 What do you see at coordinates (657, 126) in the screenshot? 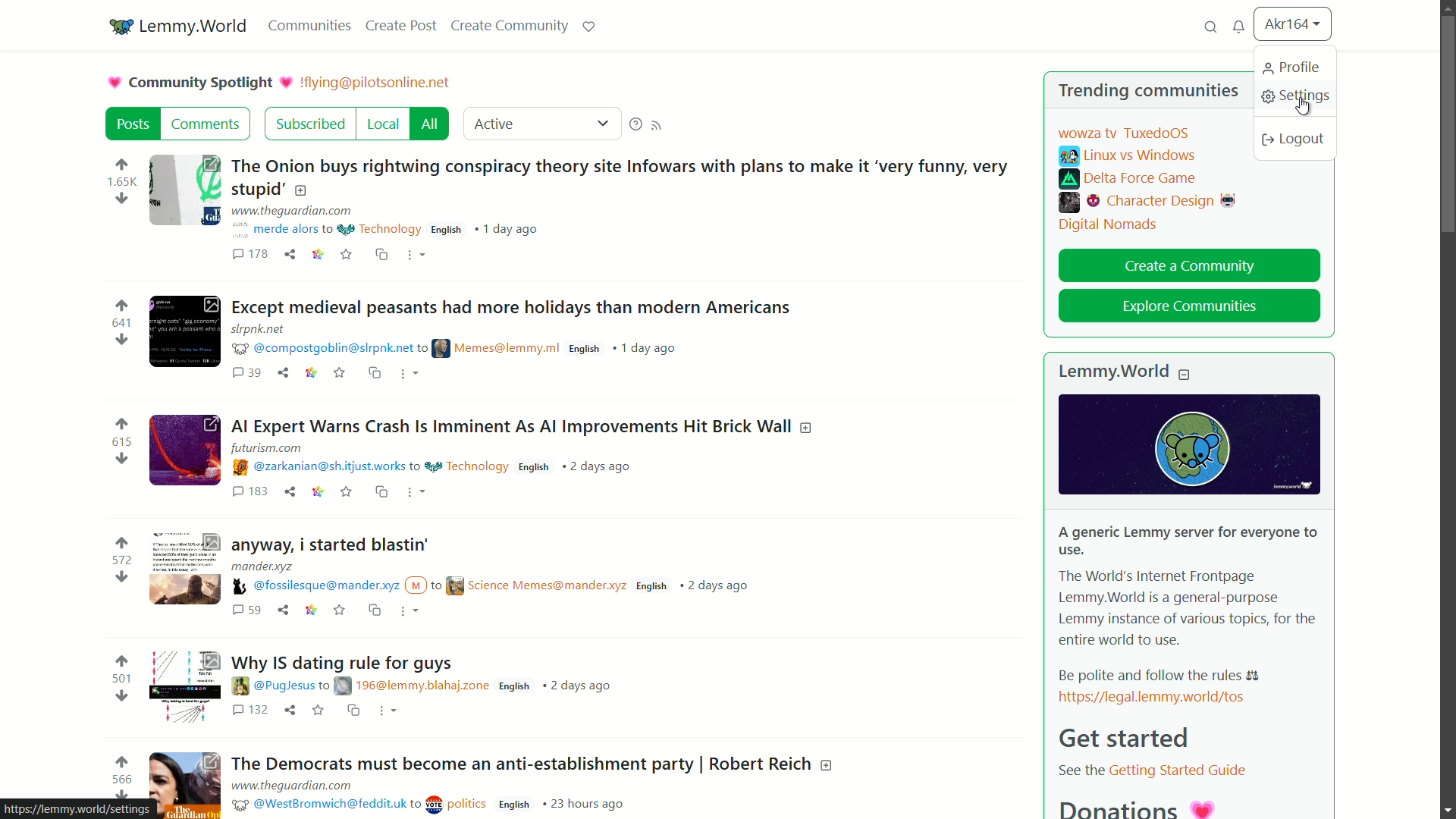
I see `rss` at bounding box center [657, 126].